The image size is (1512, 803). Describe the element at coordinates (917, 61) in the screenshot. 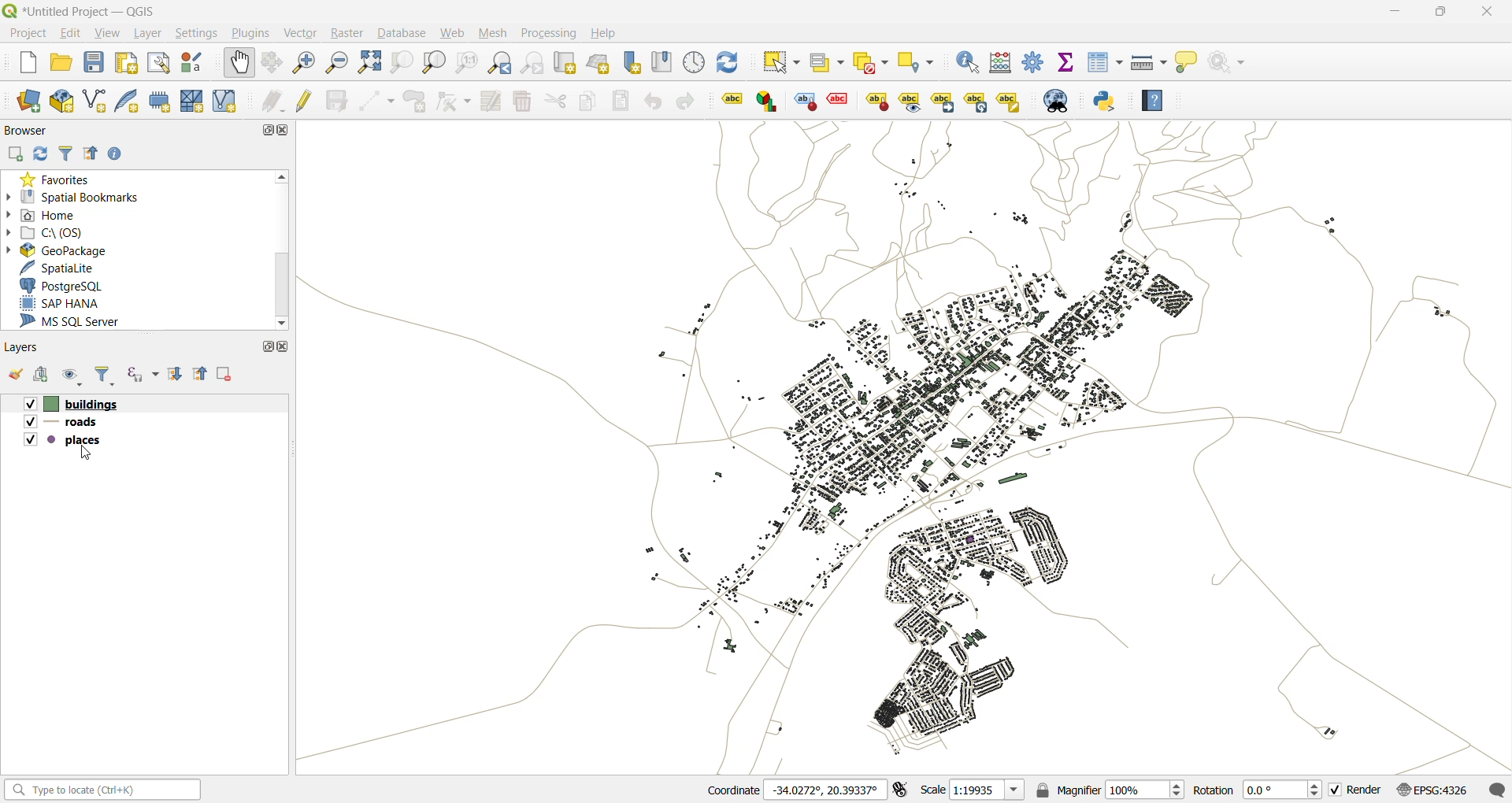

I see `select location` at that location.